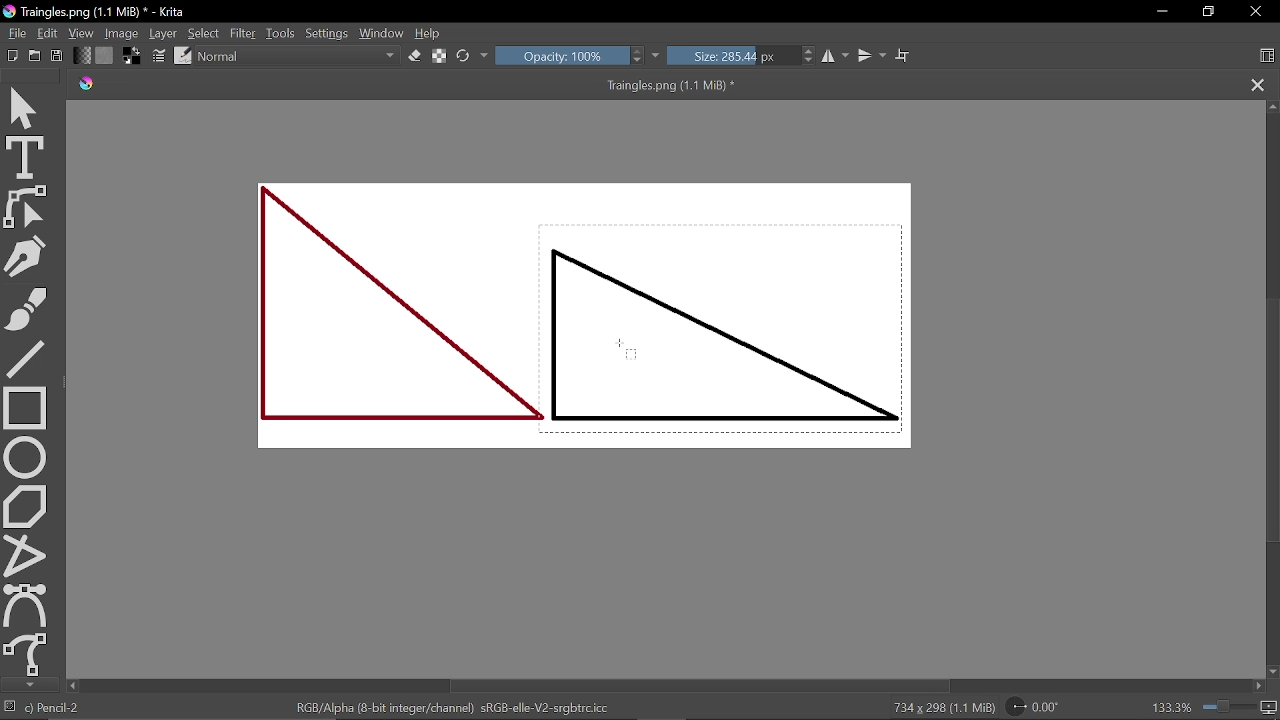 The image size is (1280, 720). Describe the element at coordinates (327, 33) in the screenshot. I see `Settings` at that location.